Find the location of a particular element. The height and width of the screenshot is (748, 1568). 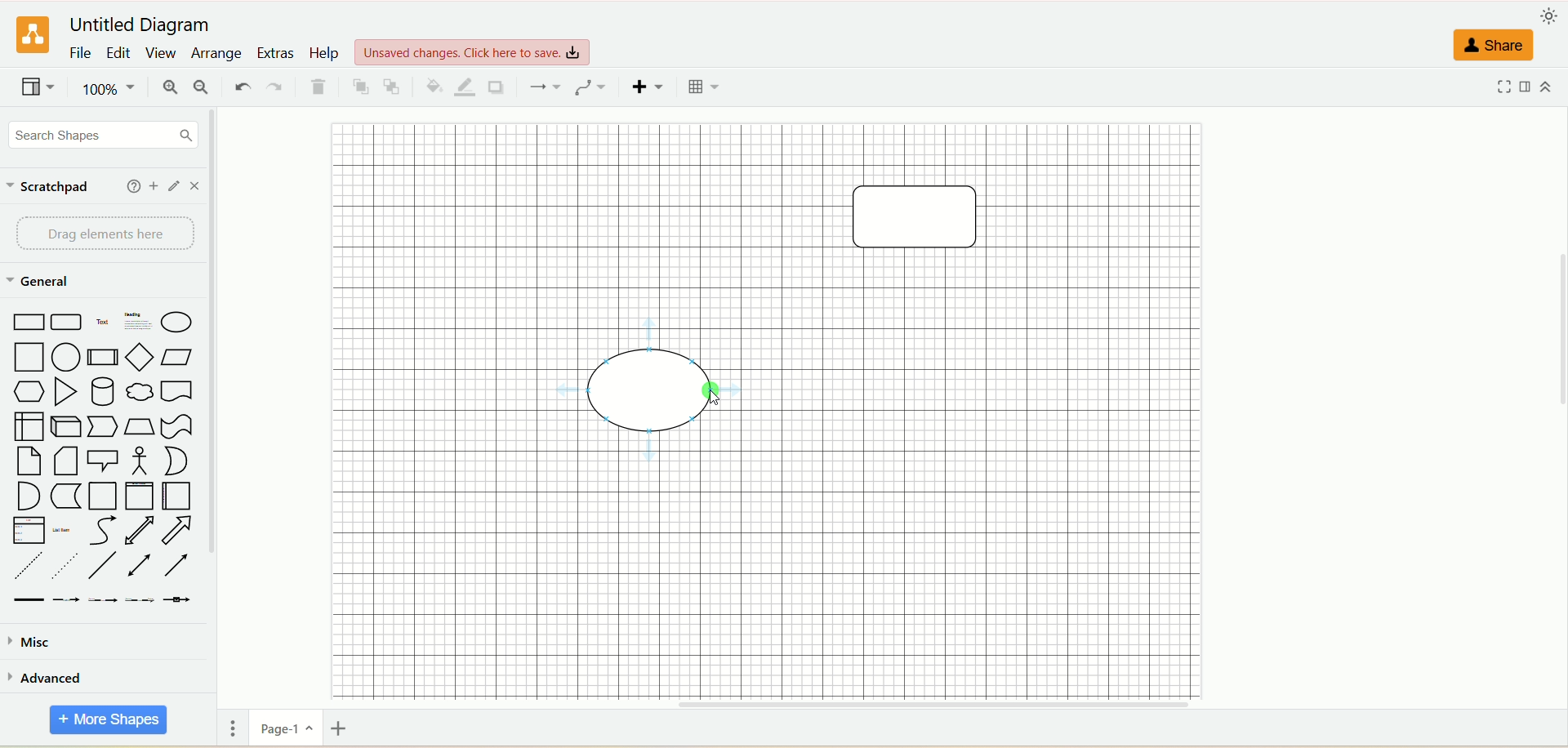

shape is located at coordinates (922, 220).